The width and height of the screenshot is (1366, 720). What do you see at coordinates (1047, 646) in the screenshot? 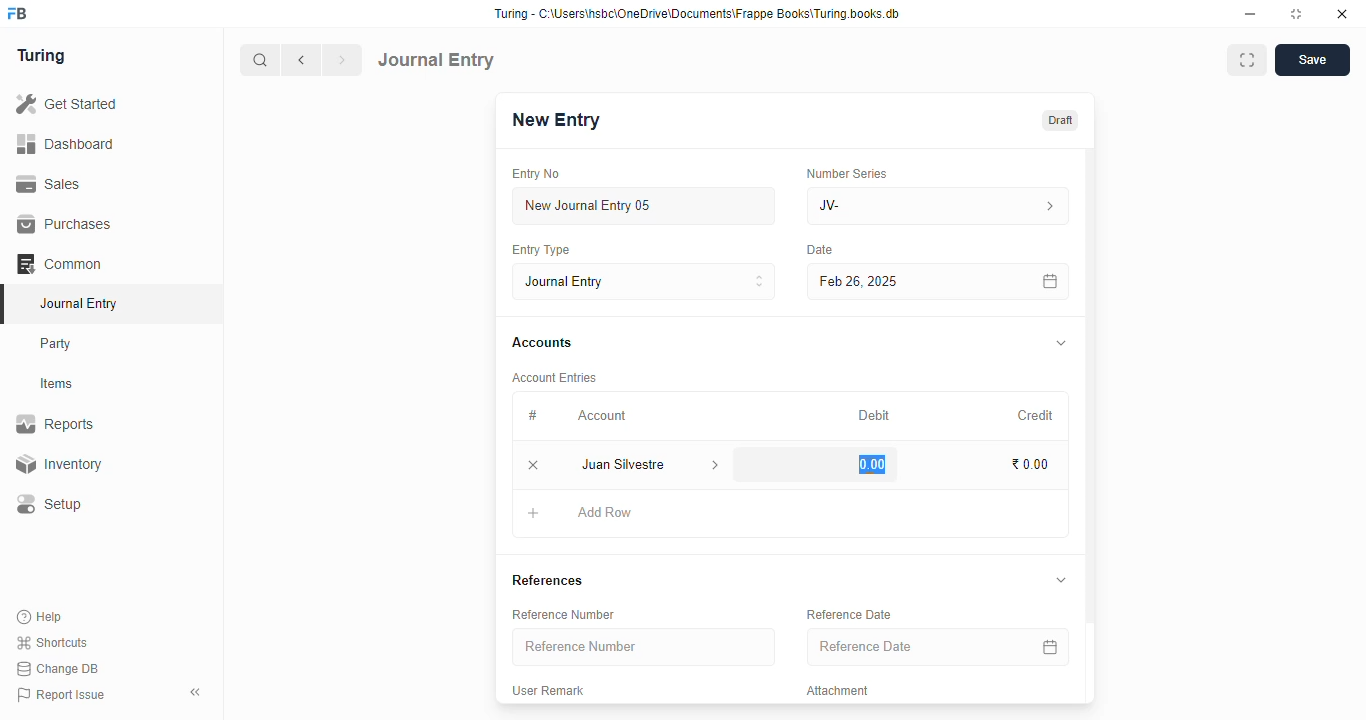
I see `calendar icon` at bounding box center [1047, 646].